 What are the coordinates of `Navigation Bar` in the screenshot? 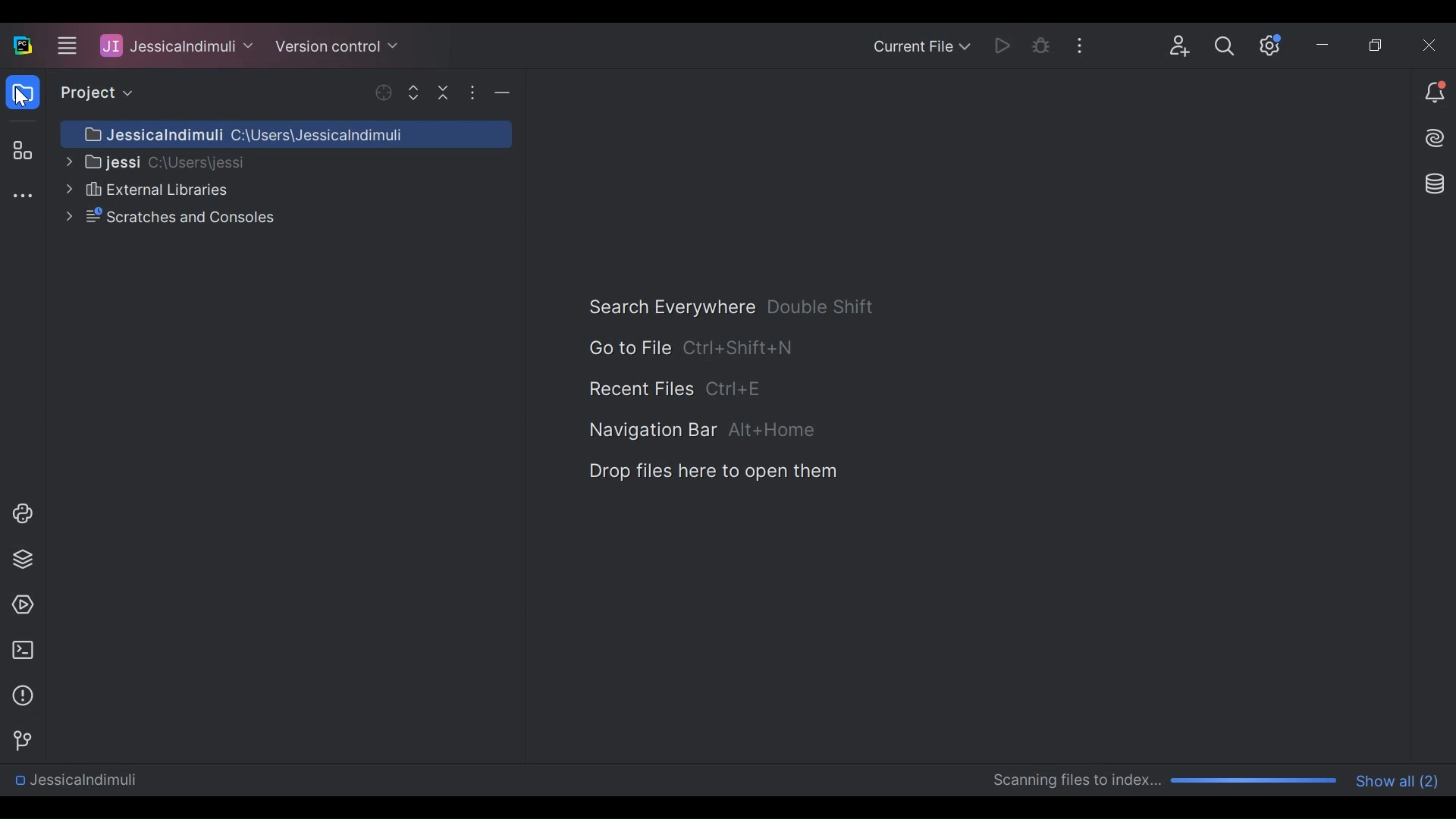 It's located at (704, 432).